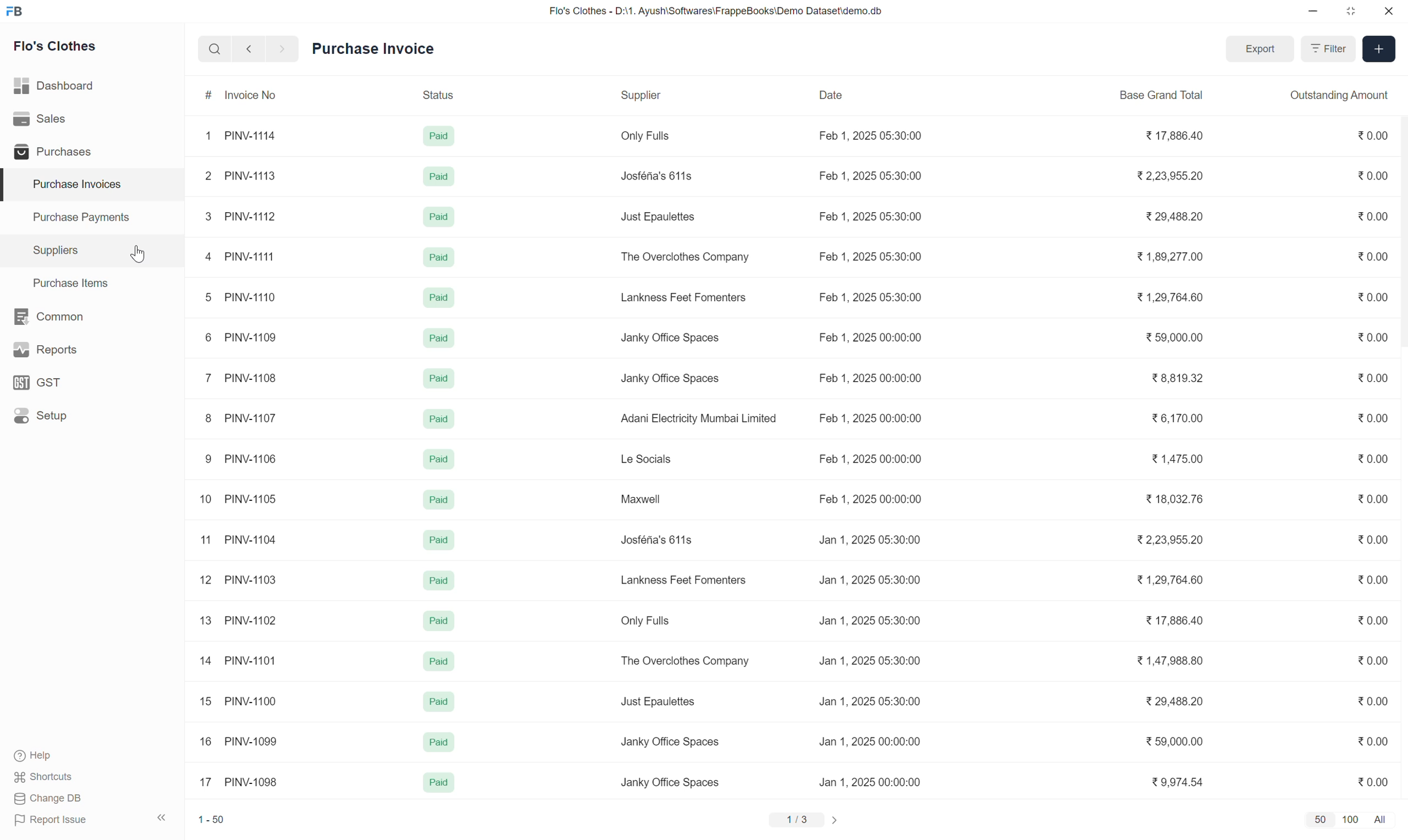  Describe the element at coordinates (439, 539) in the screenshot. I see `paid` at that location.